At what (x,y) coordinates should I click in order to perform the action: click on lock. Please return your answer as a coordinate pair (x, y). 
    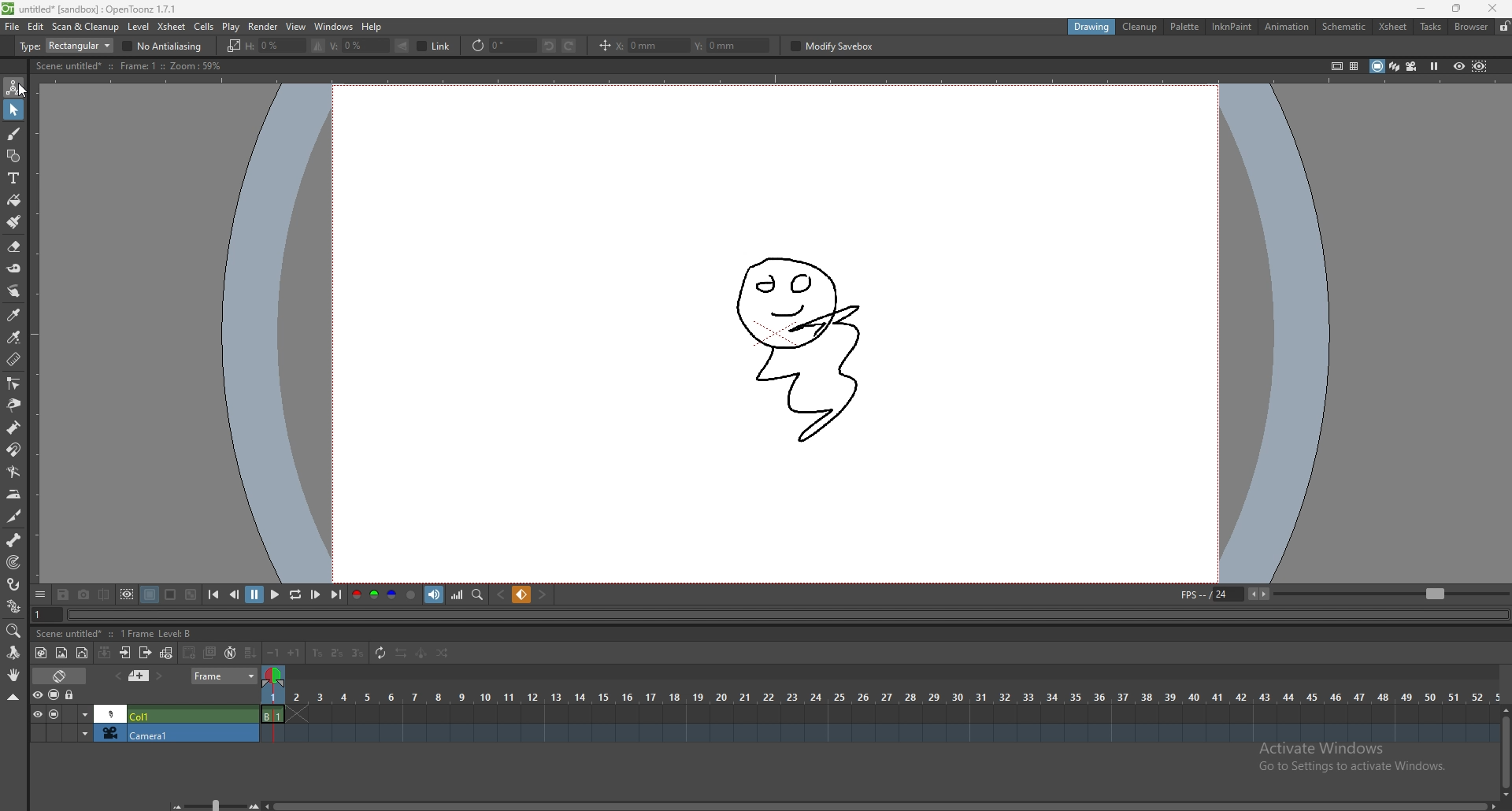
    Looking at the image, I should click on (71, 695).